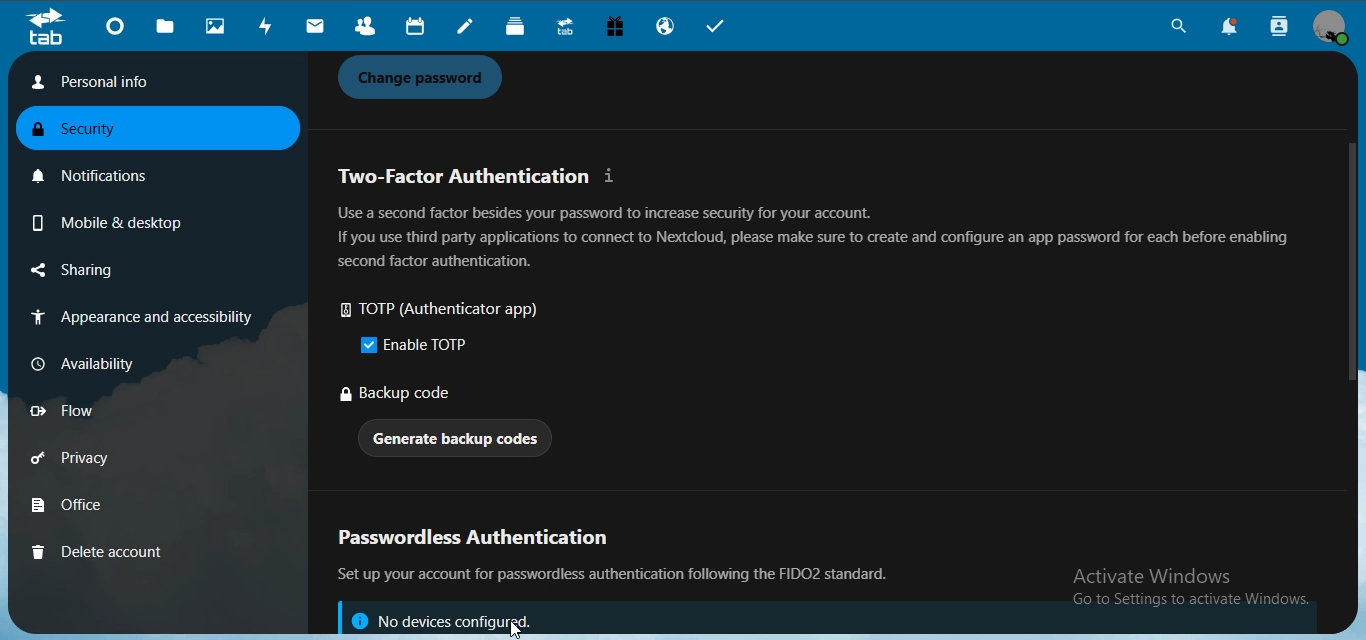 Image resolution: width=1366 pixels, height=640 pixels. I want to click on upgrade, so click(568, 29).